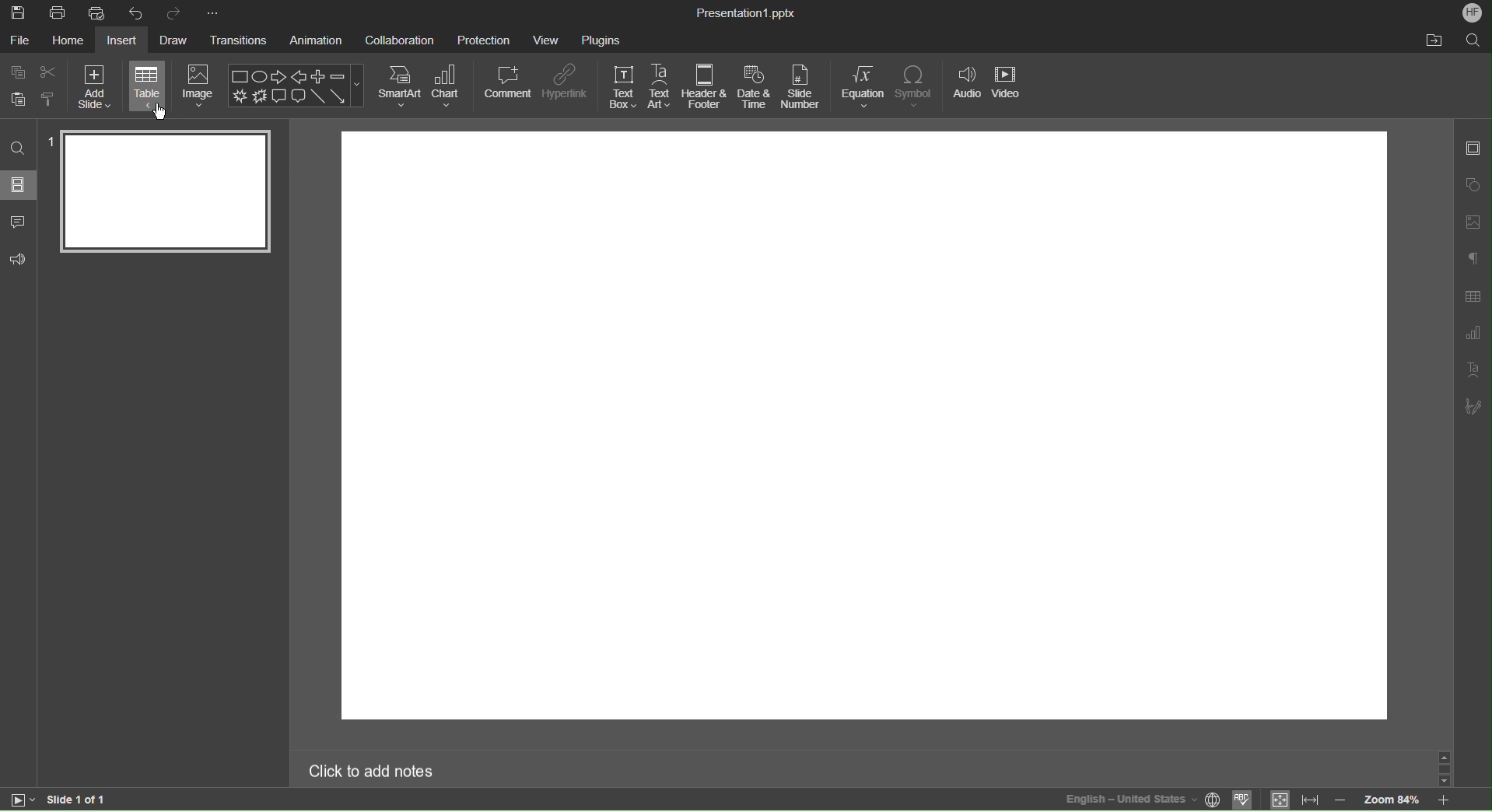 The width and height of the screenshot is (1492, 812). I want to click on Account, so click(1473, 13).